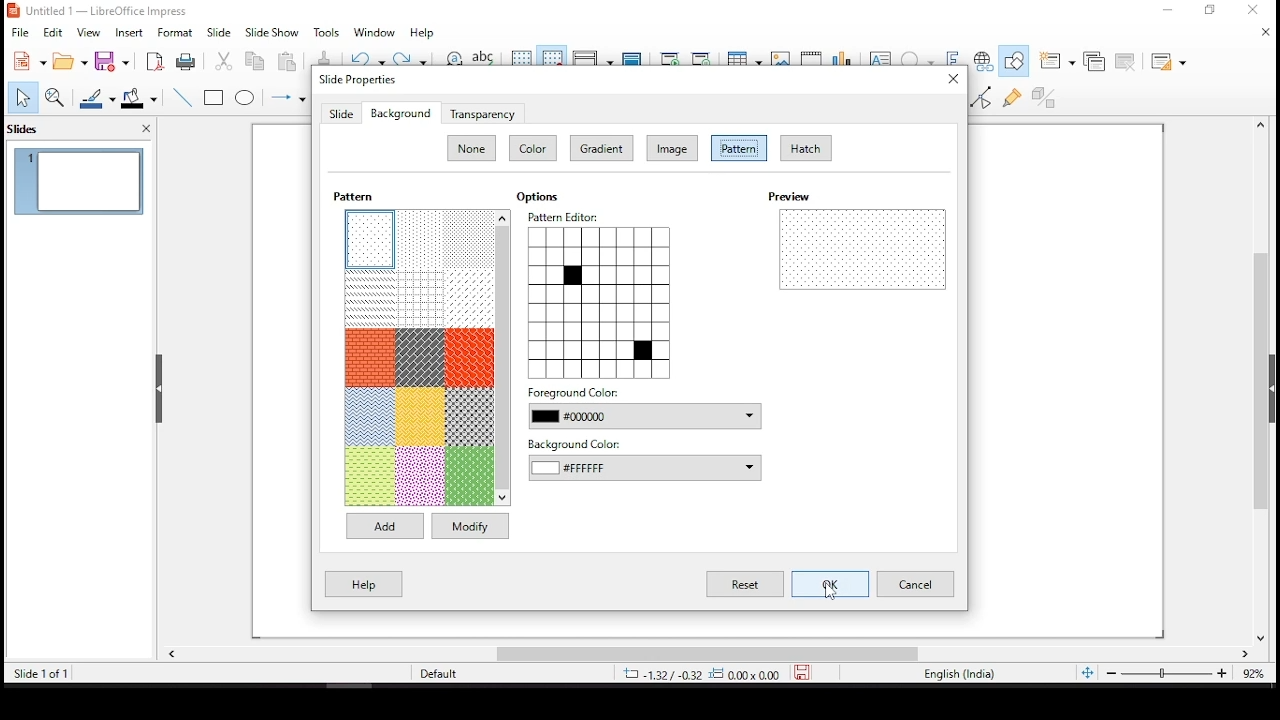  Describe the element at coordinates (424, 31) in the screenshot. I see `help` at that location.